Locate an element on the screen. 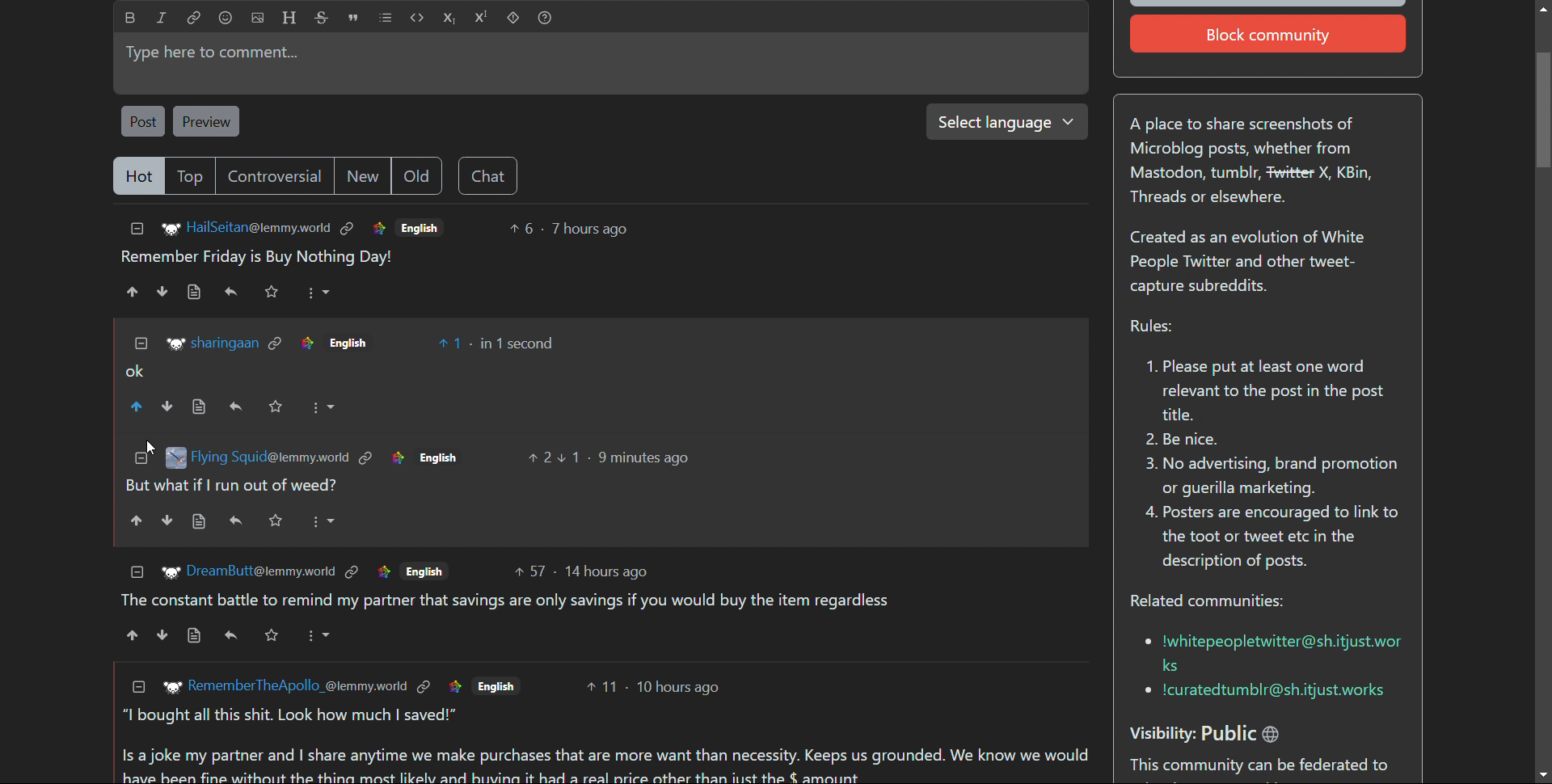 This screenshot has height=784, width=1552. scroll down is located at coordinates (1542, 774).